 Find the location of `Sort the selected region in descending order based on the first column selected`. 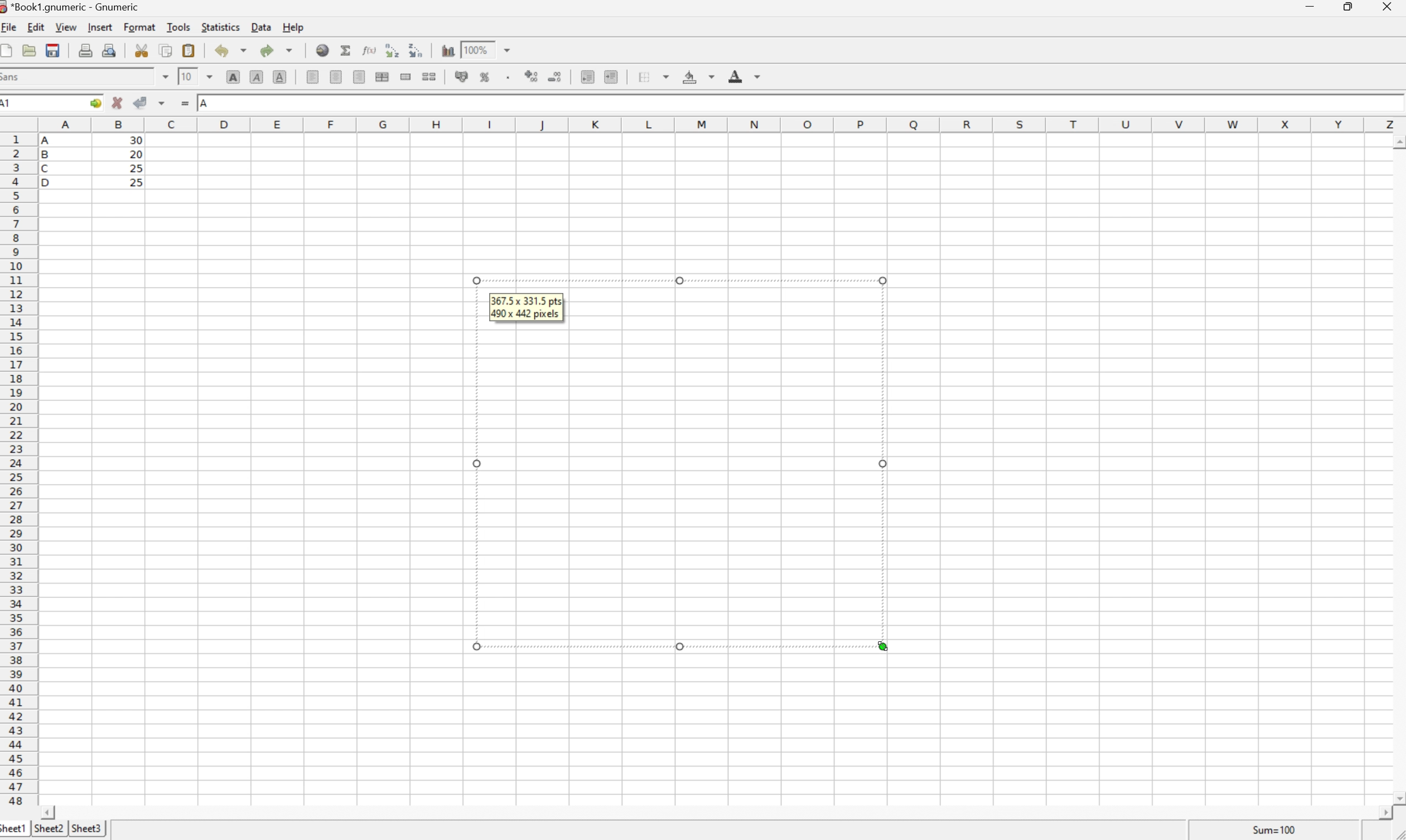

Sort the selected region in descending order based on the first column selected is located at coordinates (391, 49).